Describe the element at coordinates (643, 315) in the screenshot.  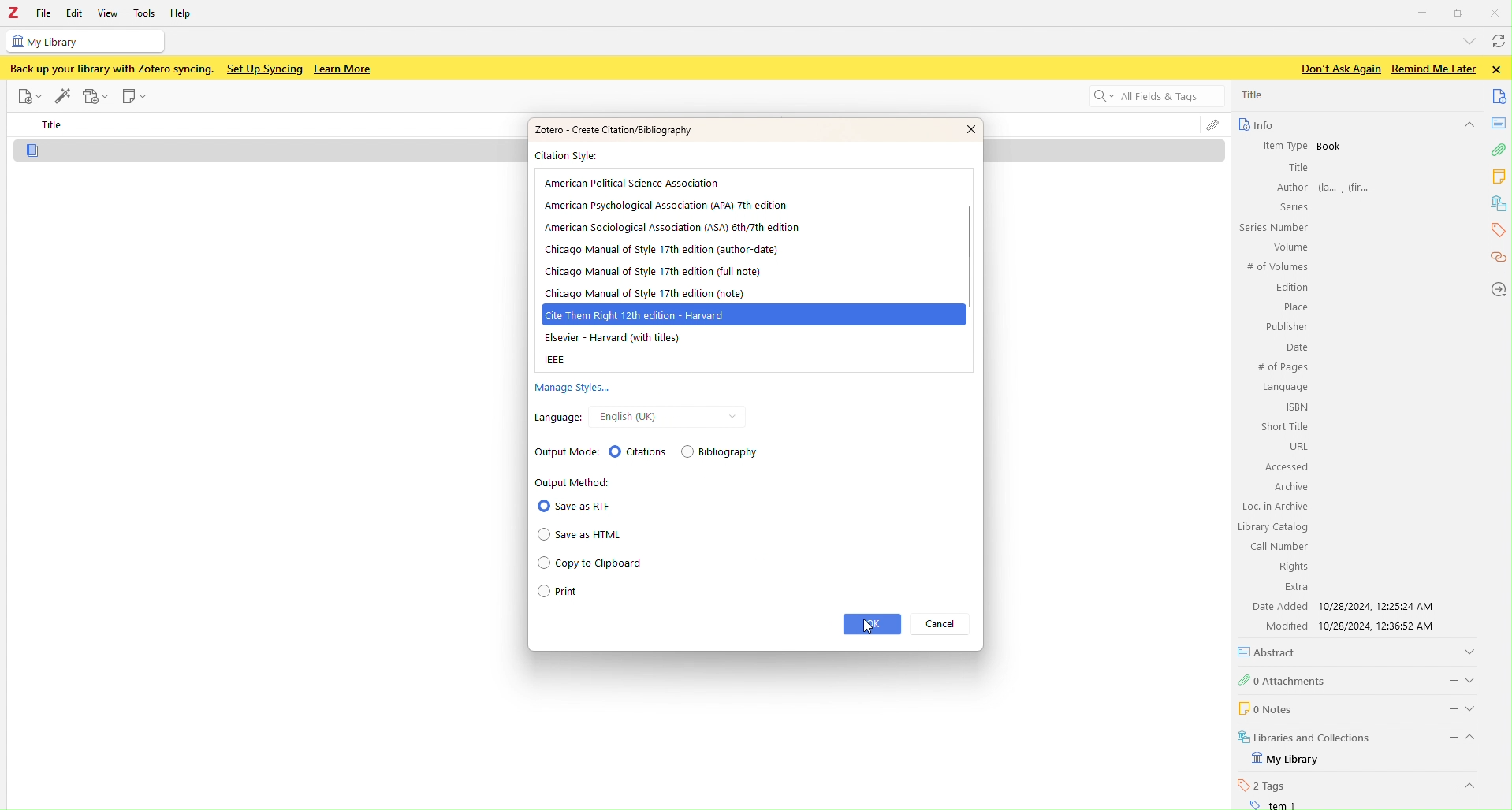
I see `Bl Cite Them Right 12th edition - Harvard` at that location.